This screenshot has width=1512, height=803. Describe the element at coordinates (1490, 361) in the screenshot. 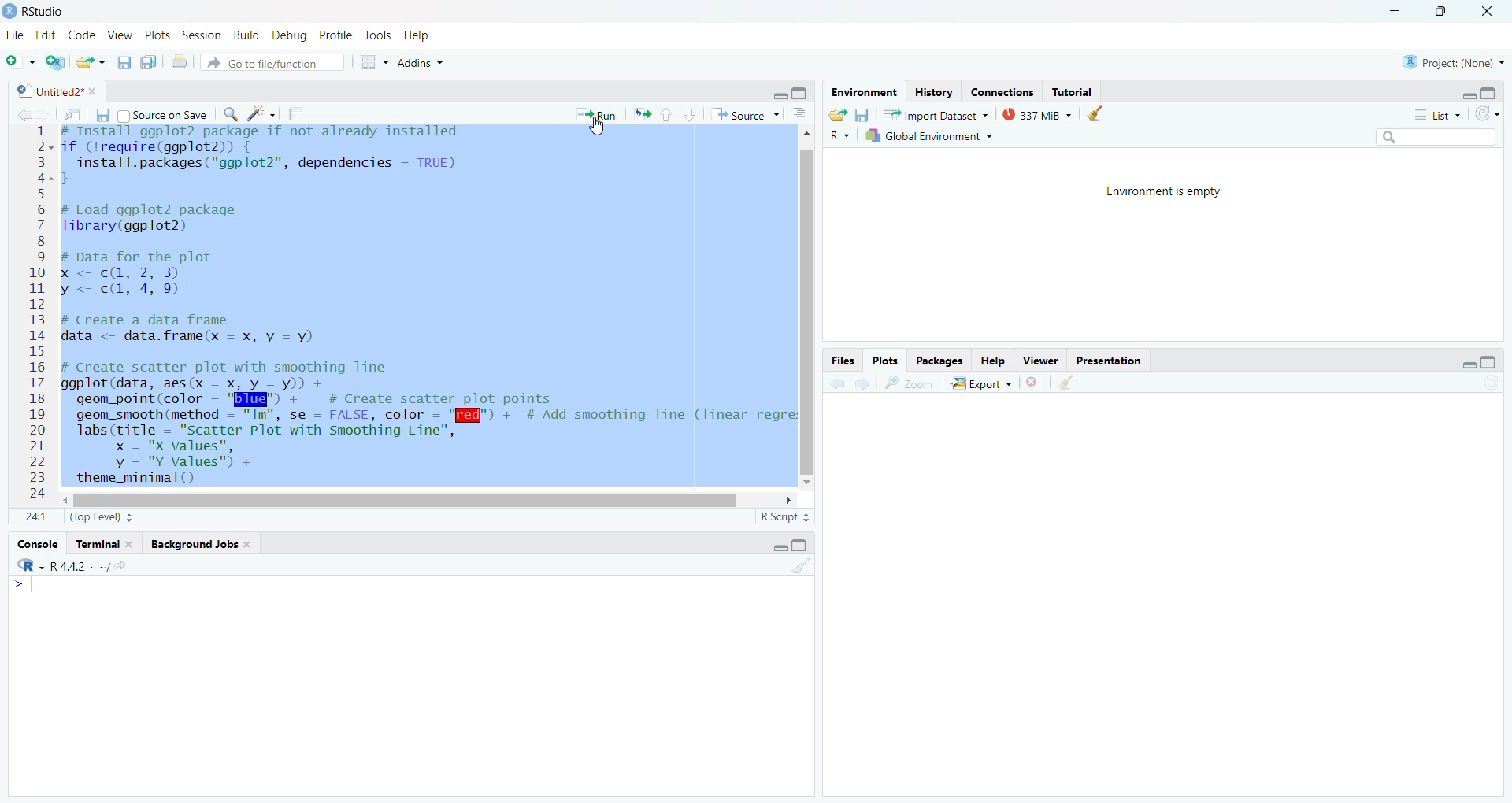

I see `hide console` at that location.